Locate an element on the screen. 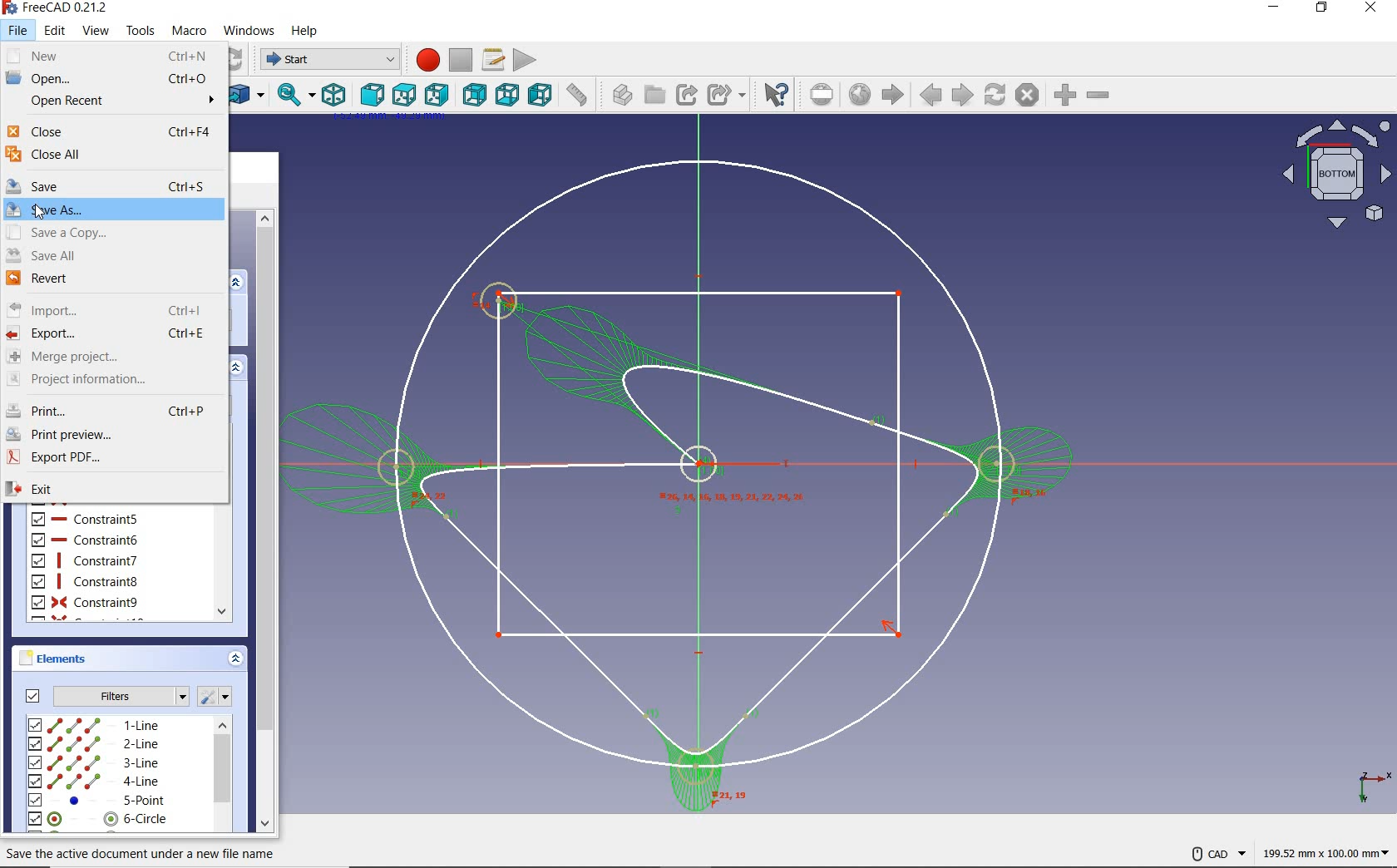 The width and height of the screenshot is (1397, 868). switch between workbenches is located at coordinates (325, 58).